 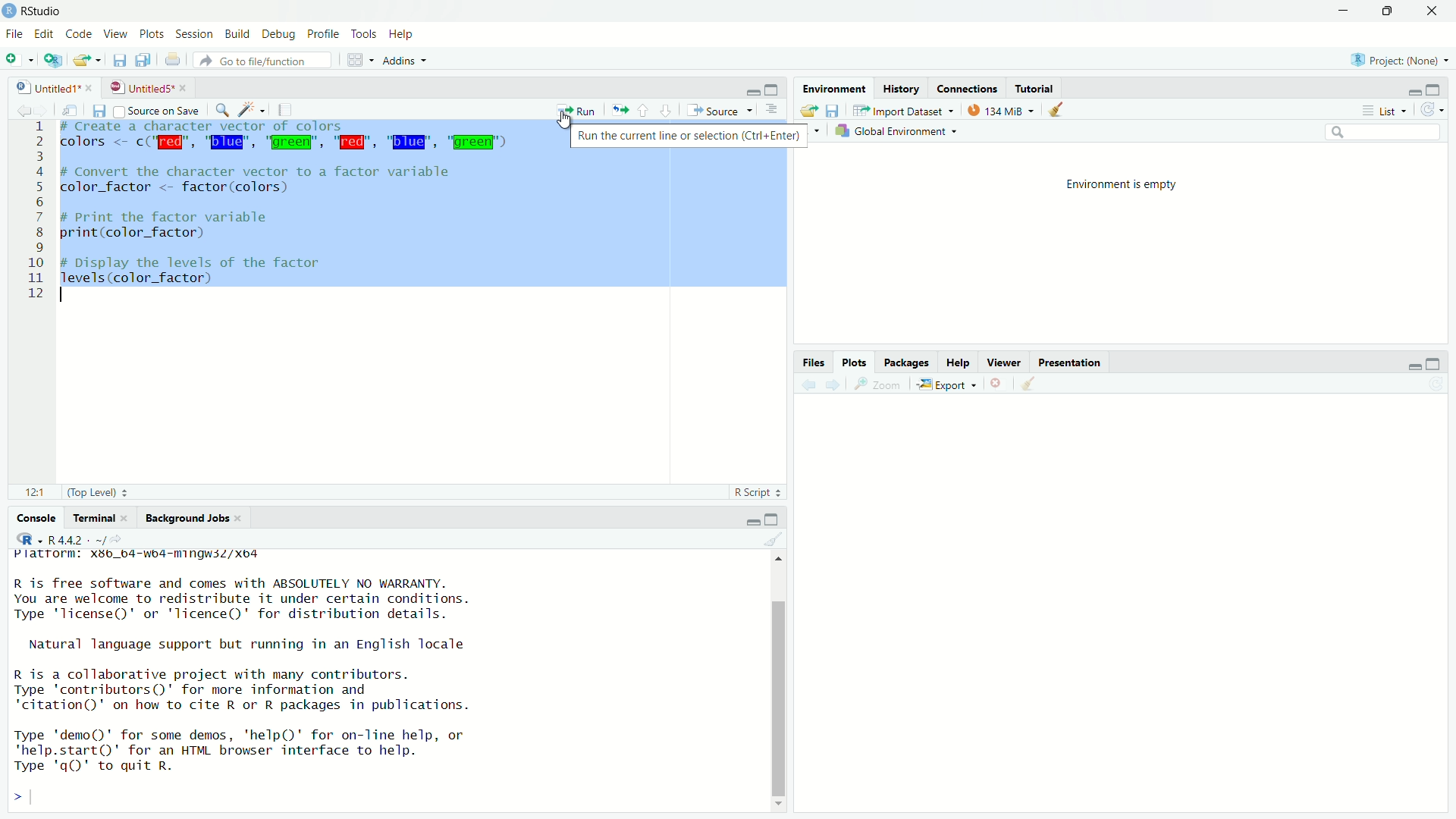 I want to click on show in new window, so click(x=74, y=112).